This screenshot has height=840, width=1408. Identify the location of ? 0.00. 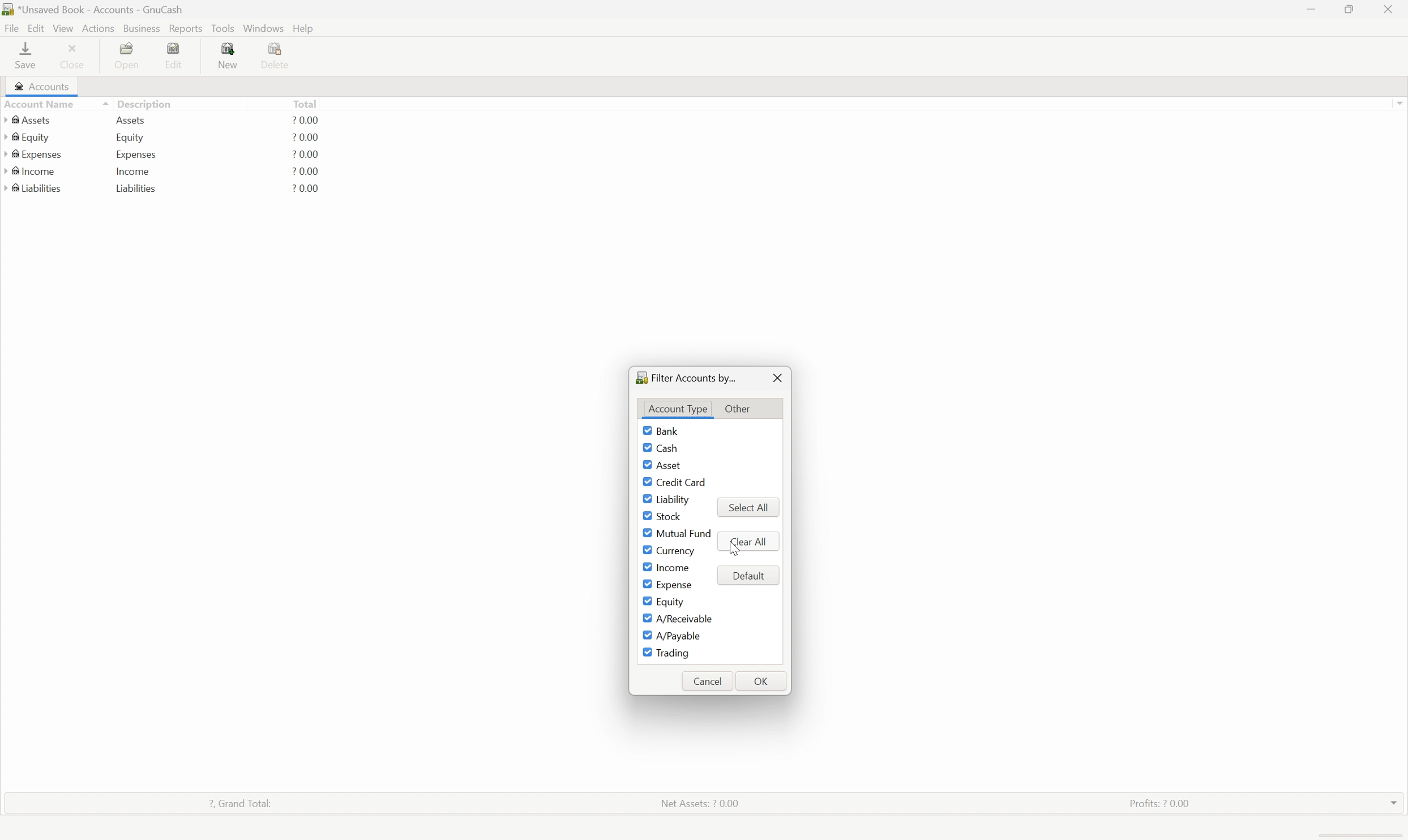
(306, 119).